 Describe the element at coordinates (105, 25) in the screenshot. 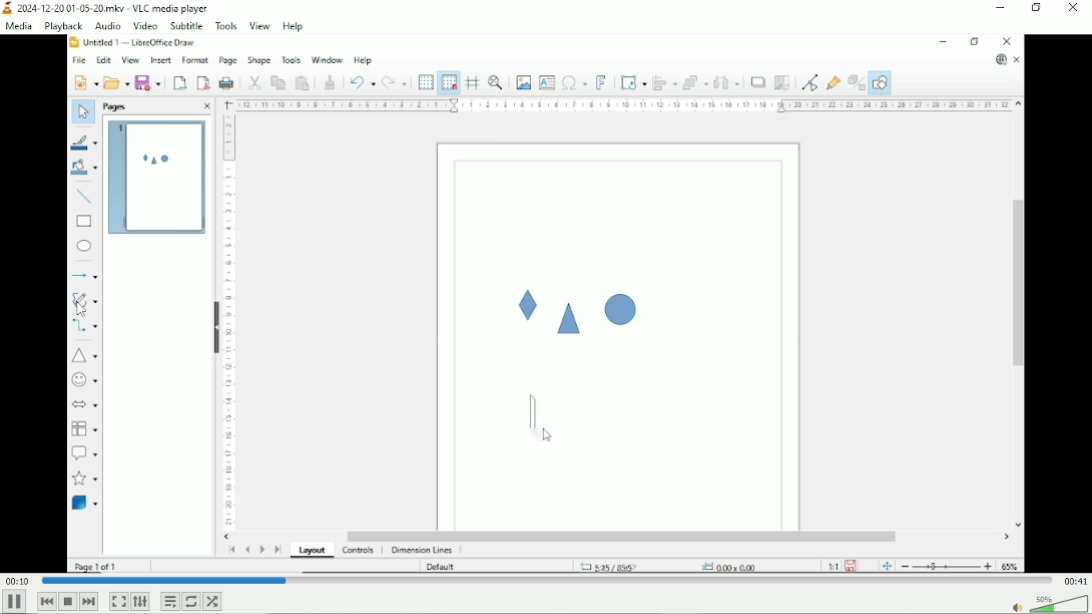

I see `Audio` at that location.